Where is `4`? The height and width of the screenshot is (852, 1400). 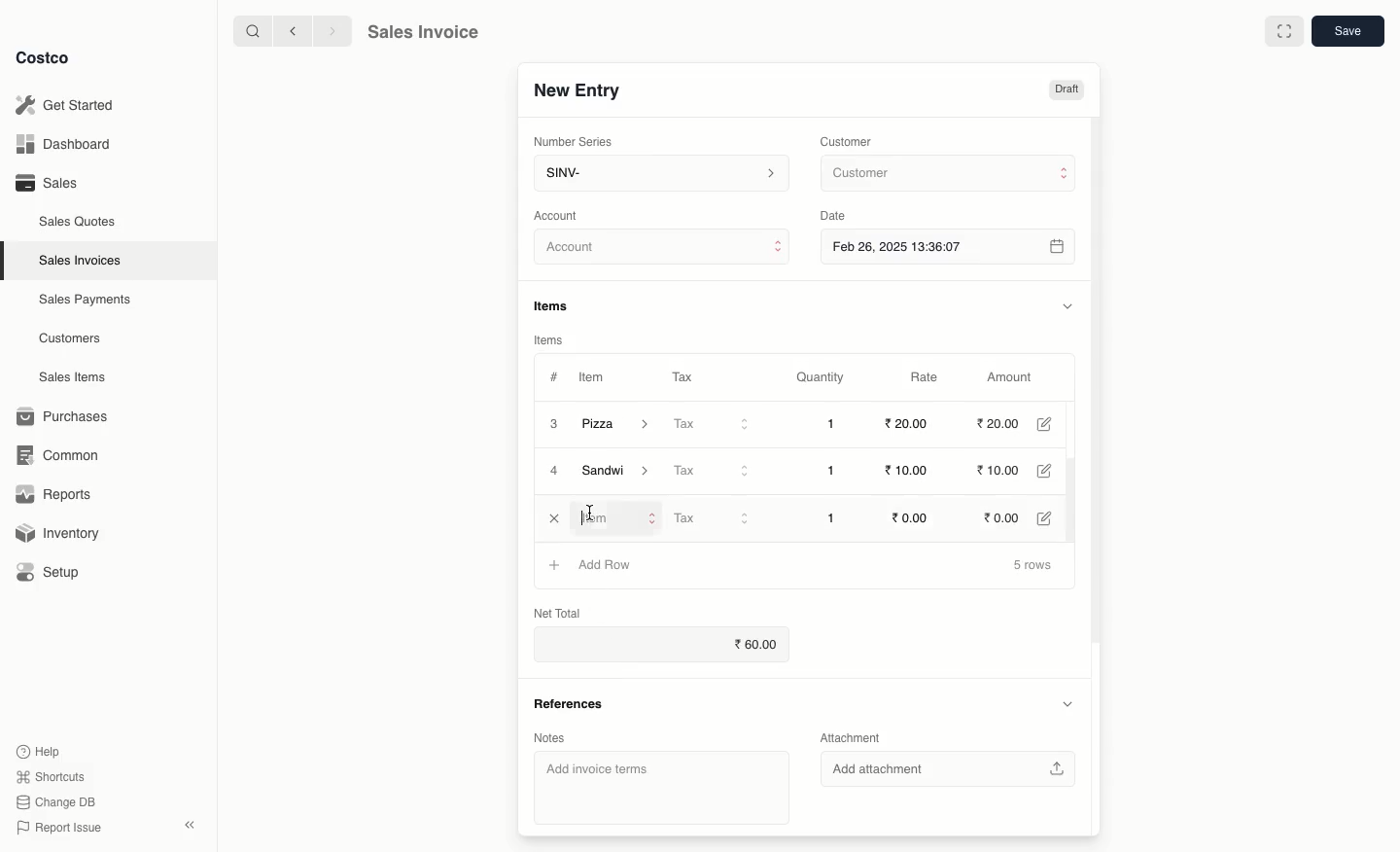
4 is located at coordinates (555, 472).